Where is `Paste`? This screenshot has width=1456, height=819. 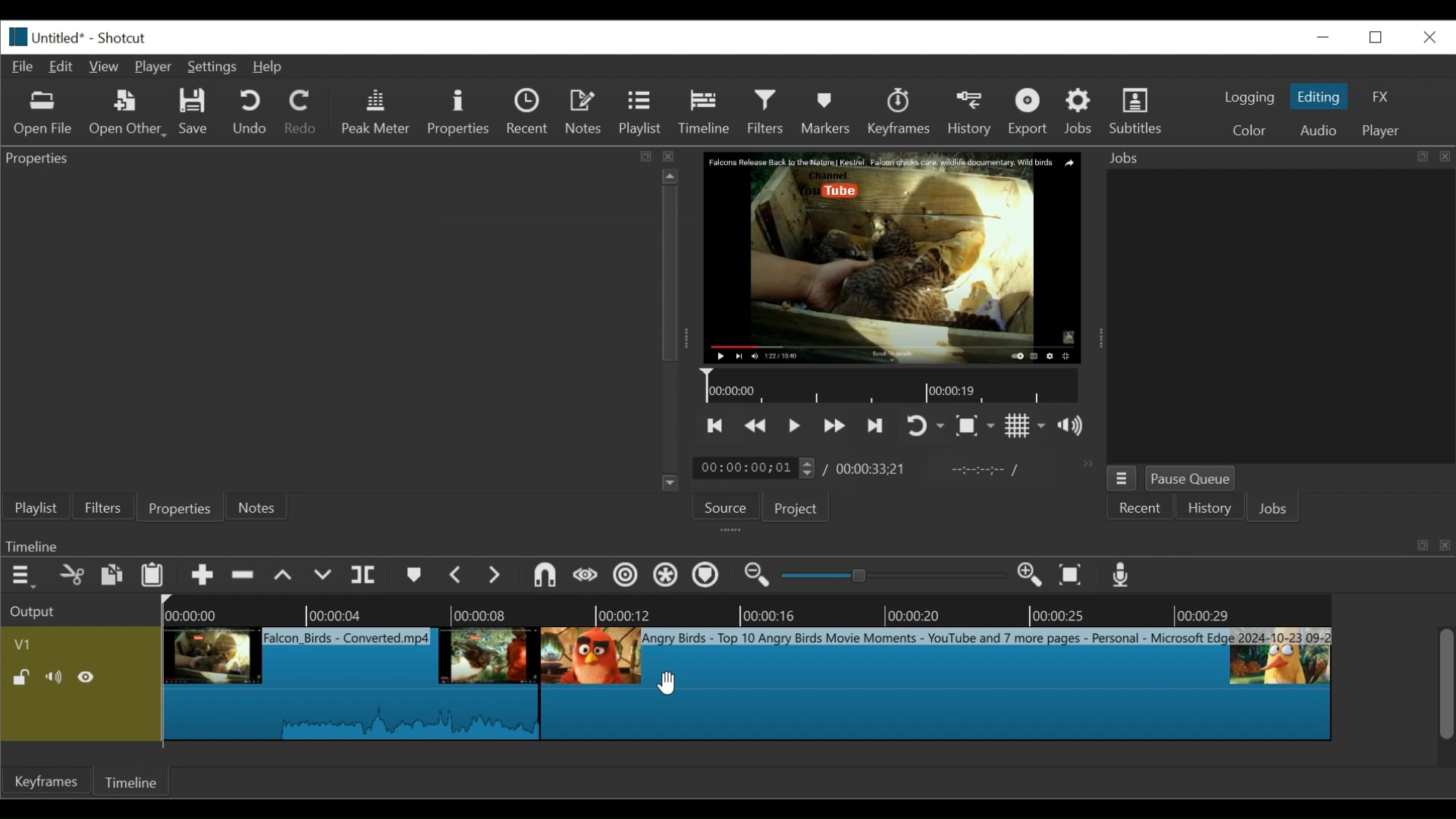 Paste is located at coordinates (154, 576).